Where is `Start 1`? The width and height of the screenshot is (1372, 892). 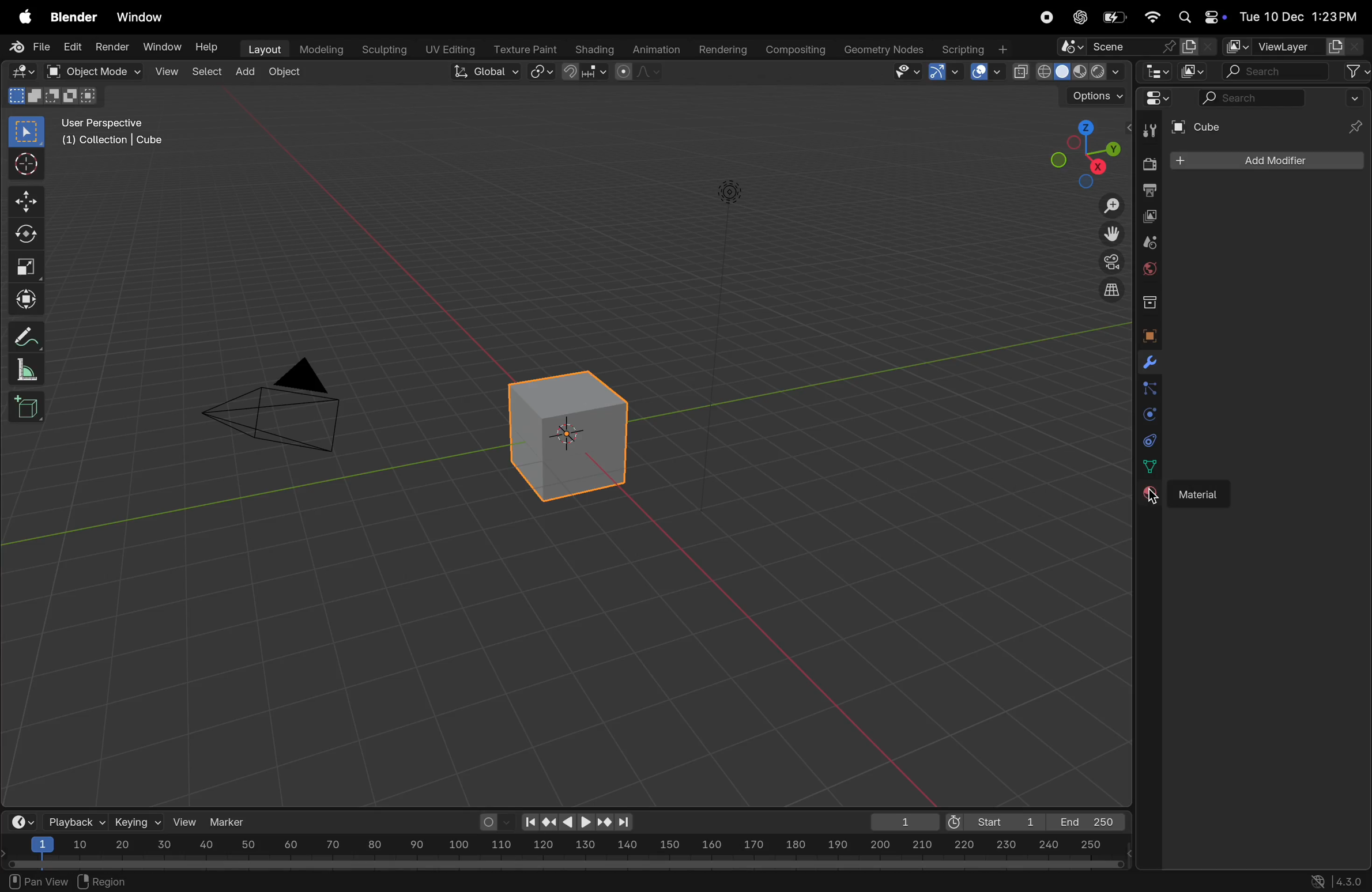
Start 1 is located at coordinates (993, 820).